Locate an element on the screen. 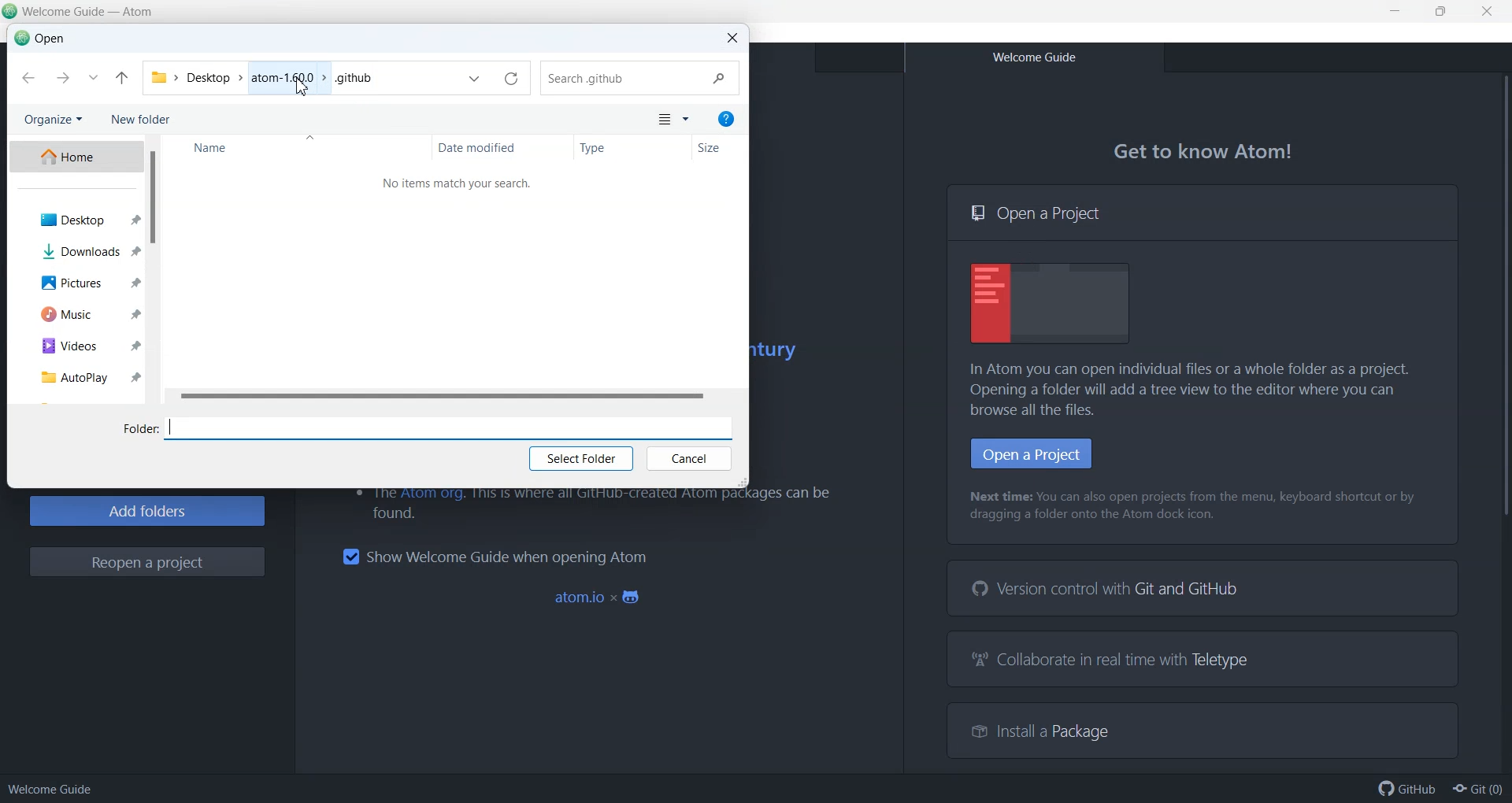  Home is located at coordinates (75, 157).